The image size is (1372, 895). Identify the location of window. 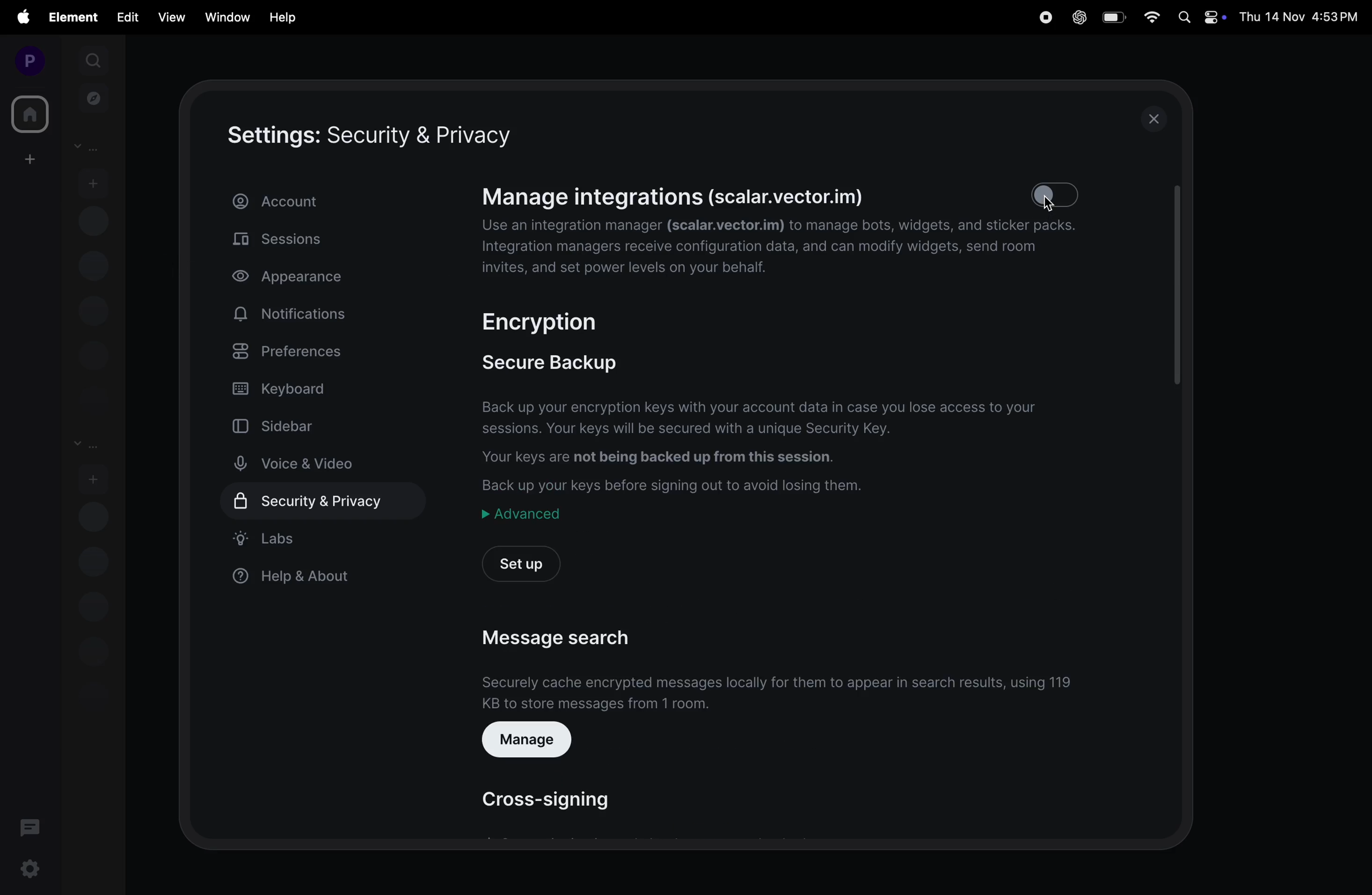
(226, 17).